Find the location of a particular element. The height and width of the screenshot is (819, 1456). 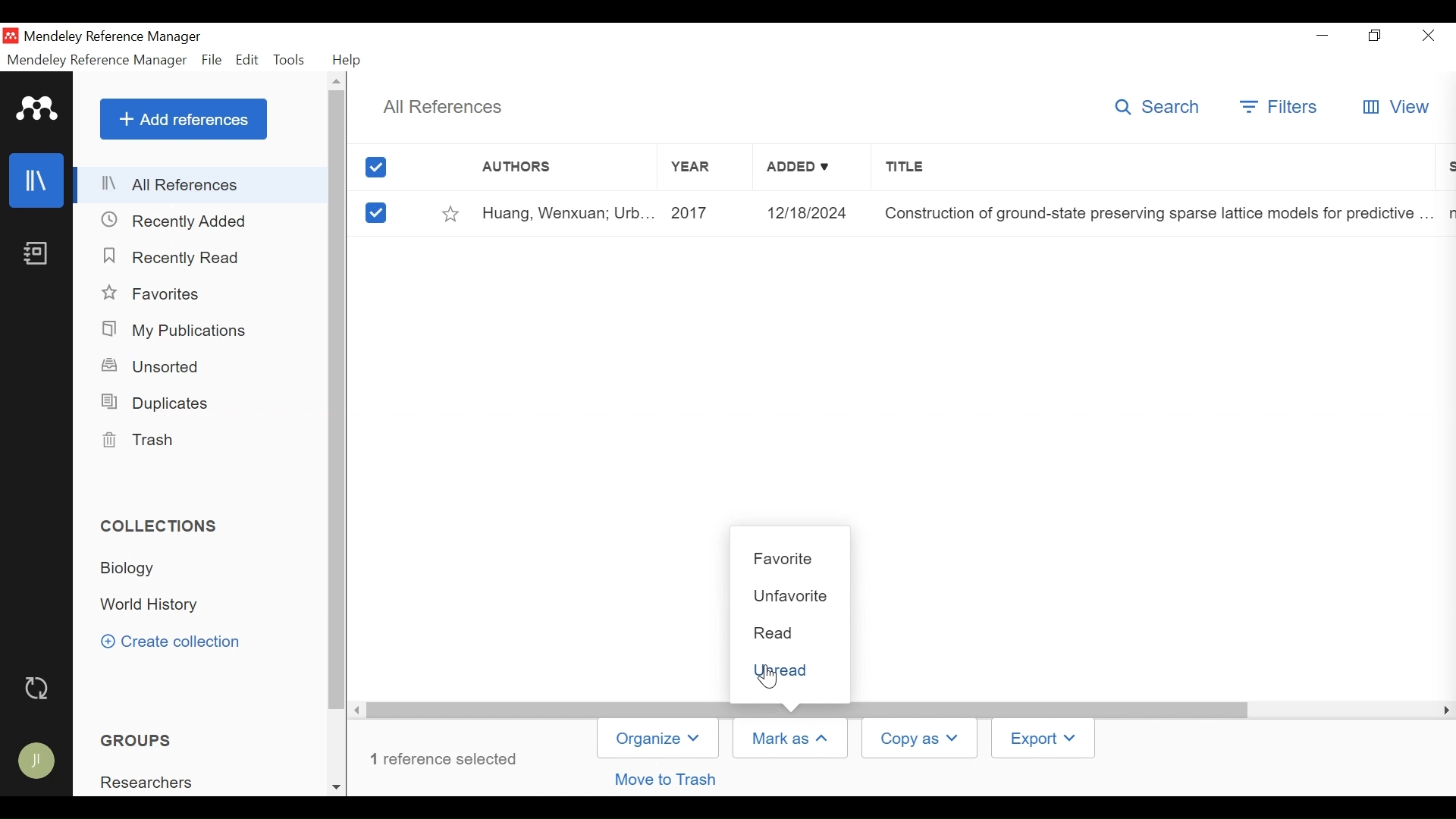

(un)select is located at coordinates (375, 213).